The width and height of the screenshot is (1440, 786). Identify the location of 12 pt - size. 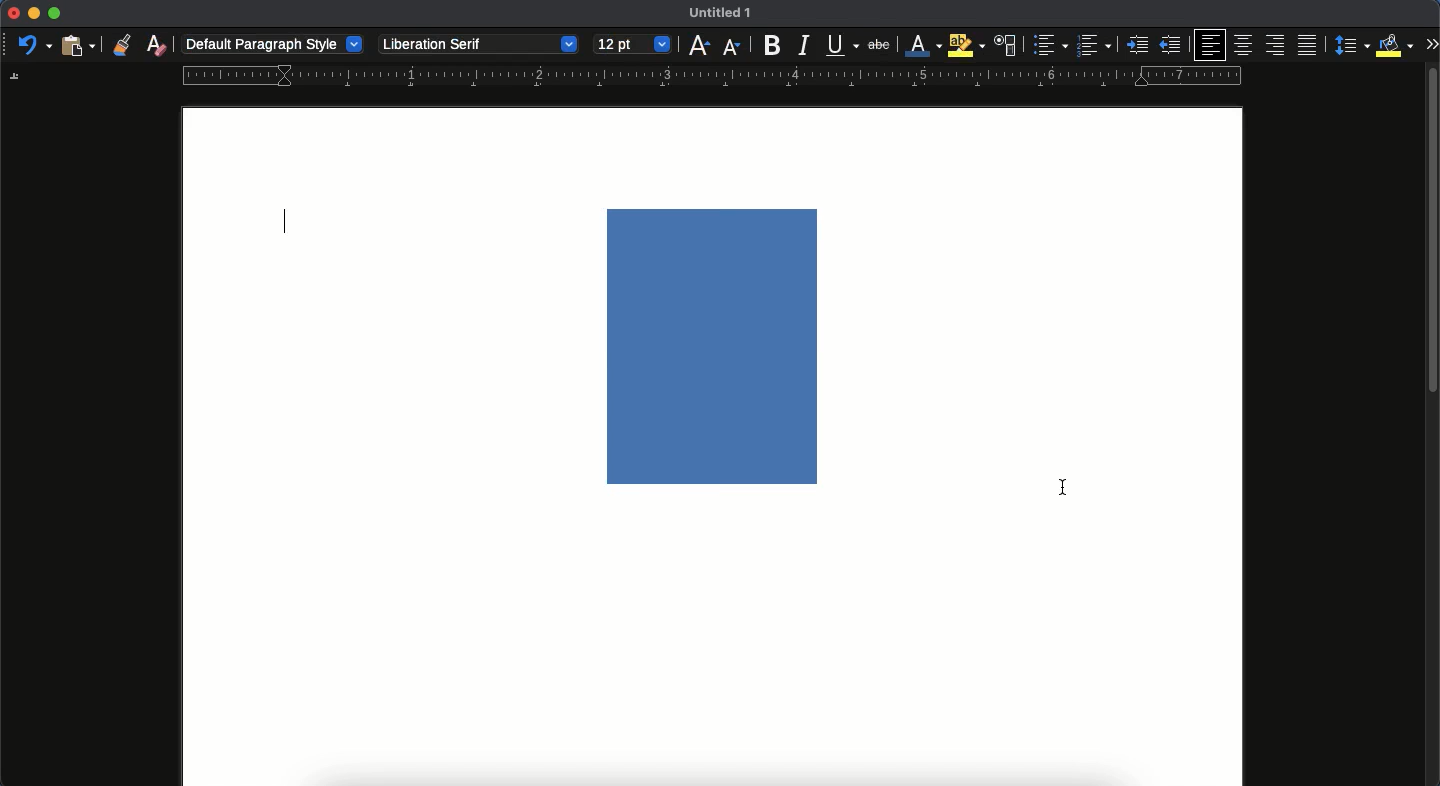
(632, 46).